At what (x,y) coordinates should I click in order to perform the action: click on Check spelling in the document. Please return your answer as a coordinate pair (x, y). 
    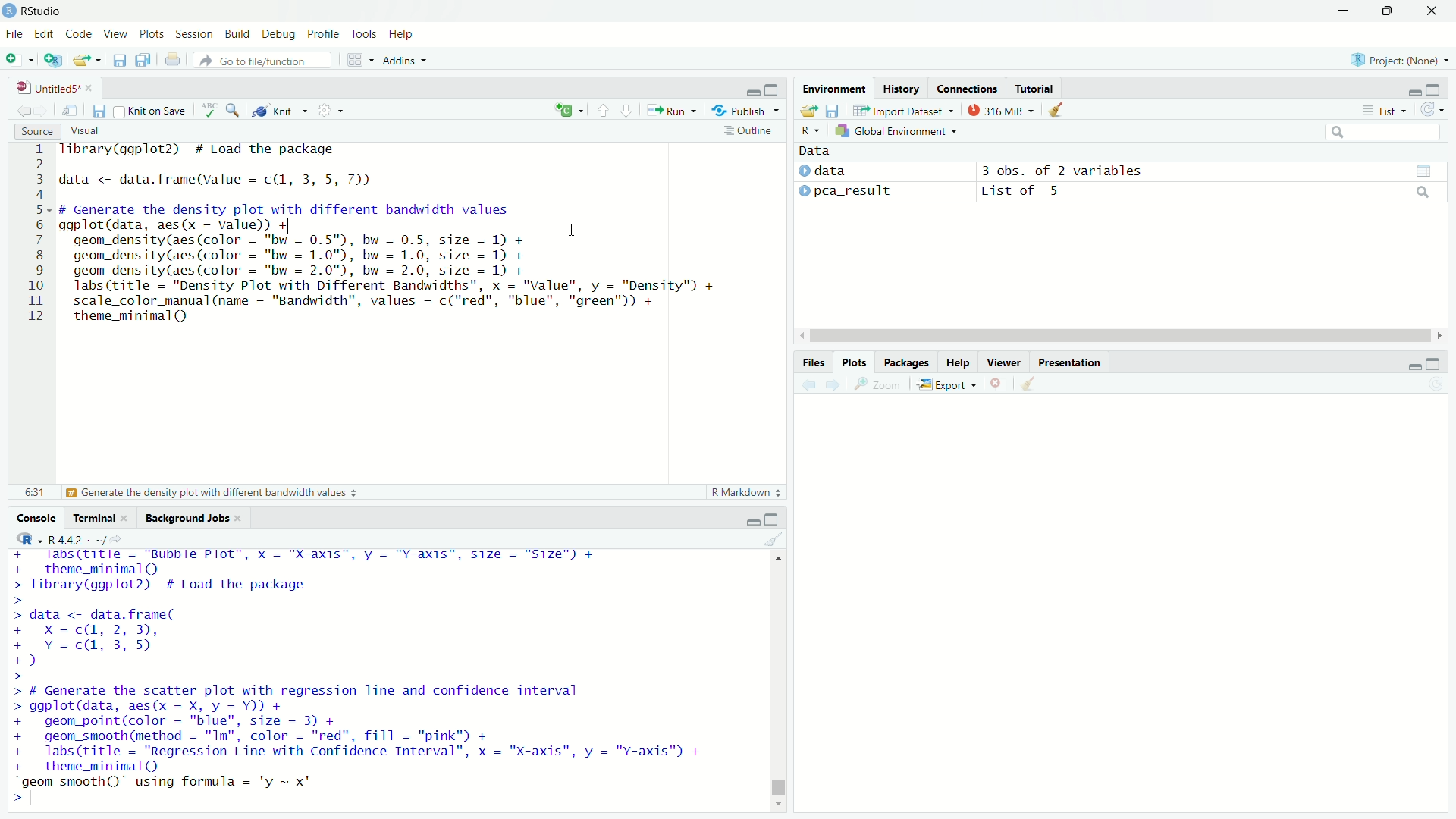
    Looking at the image, I should click on (209, 109).